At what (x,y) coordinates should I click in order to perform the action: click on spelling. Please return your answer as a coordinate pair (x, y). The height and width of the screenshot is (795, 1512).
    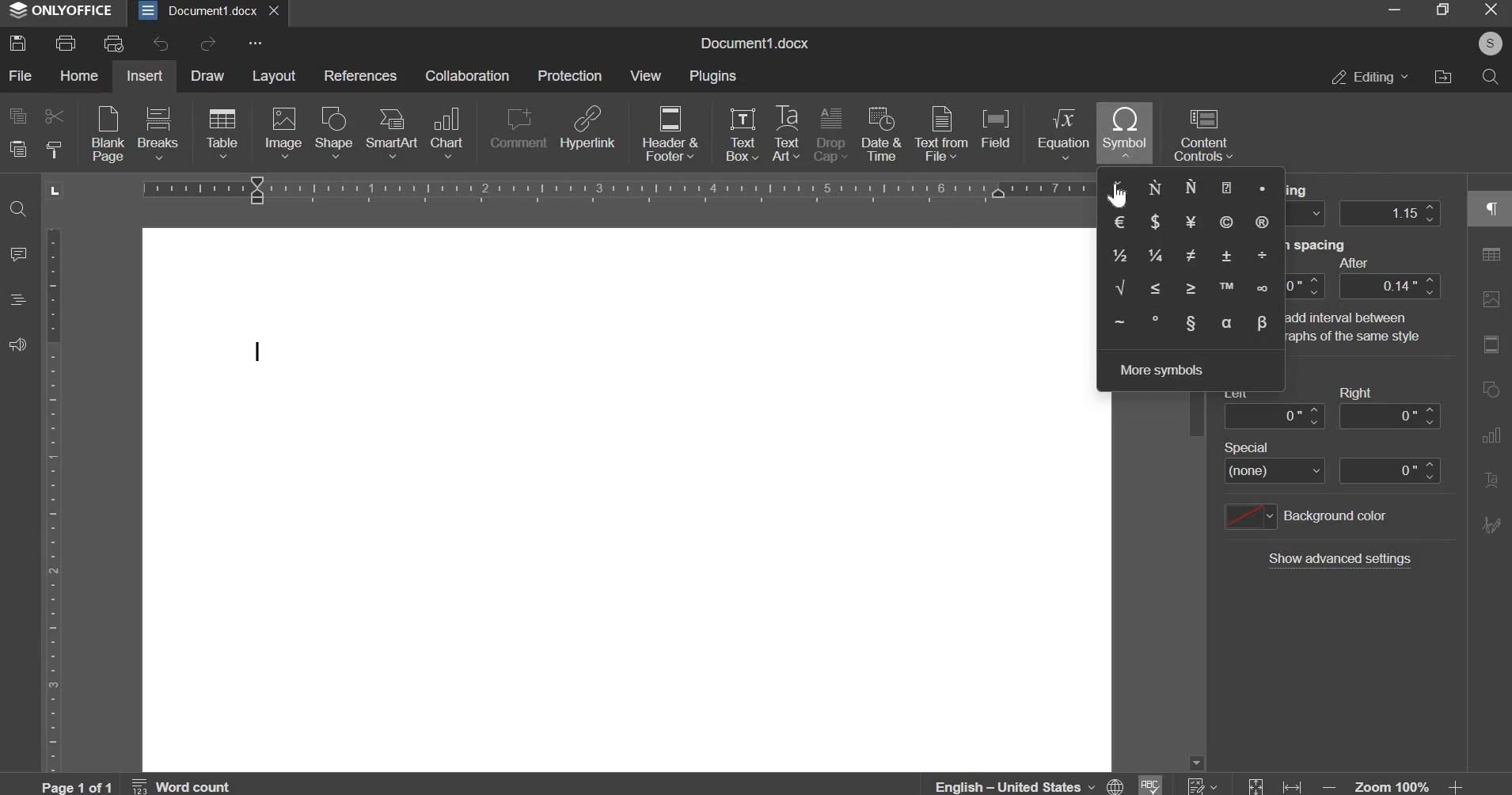
    Looking at the image, I should click on (1149, 785).